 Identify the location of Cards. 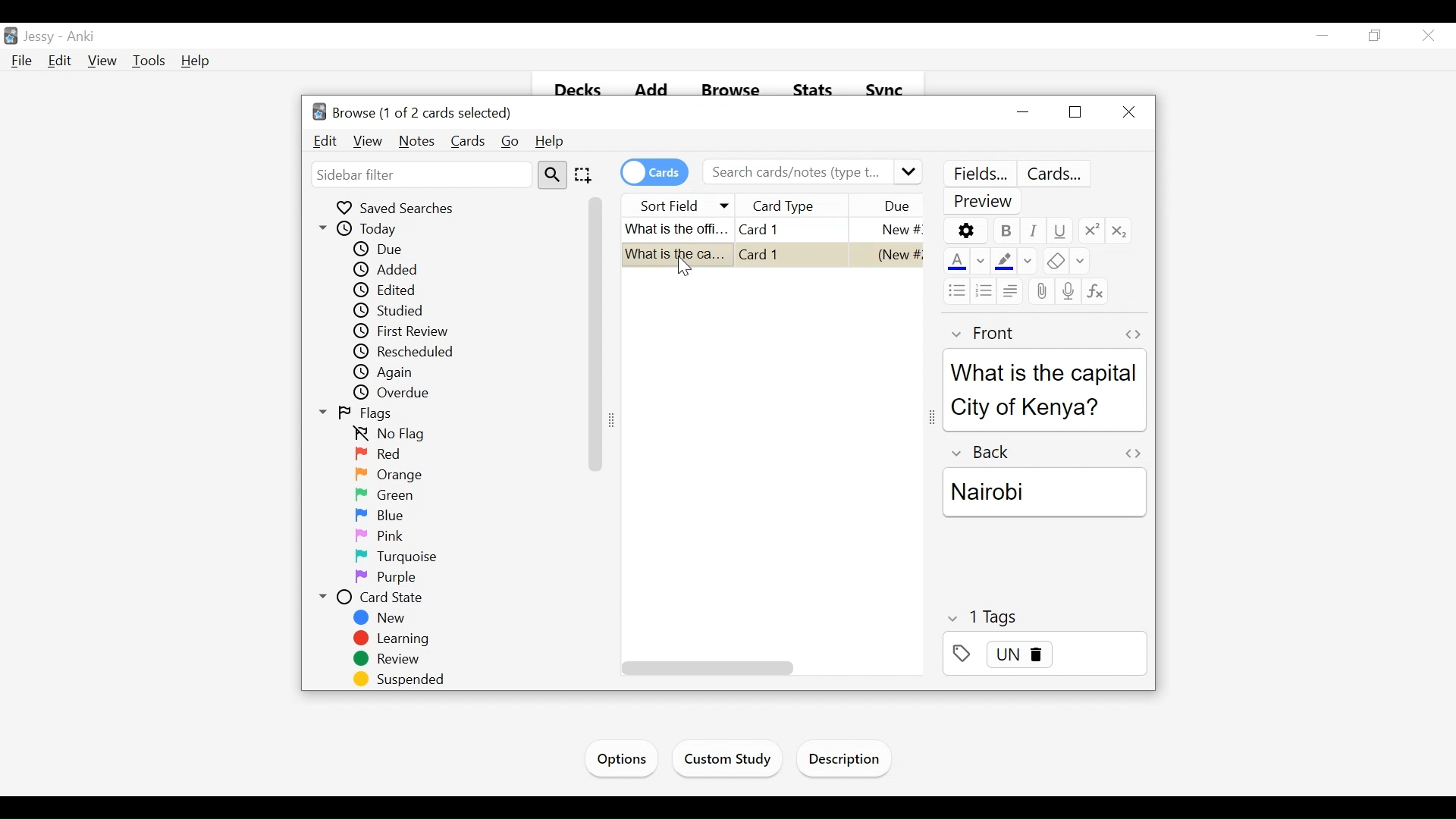
(468, 141).